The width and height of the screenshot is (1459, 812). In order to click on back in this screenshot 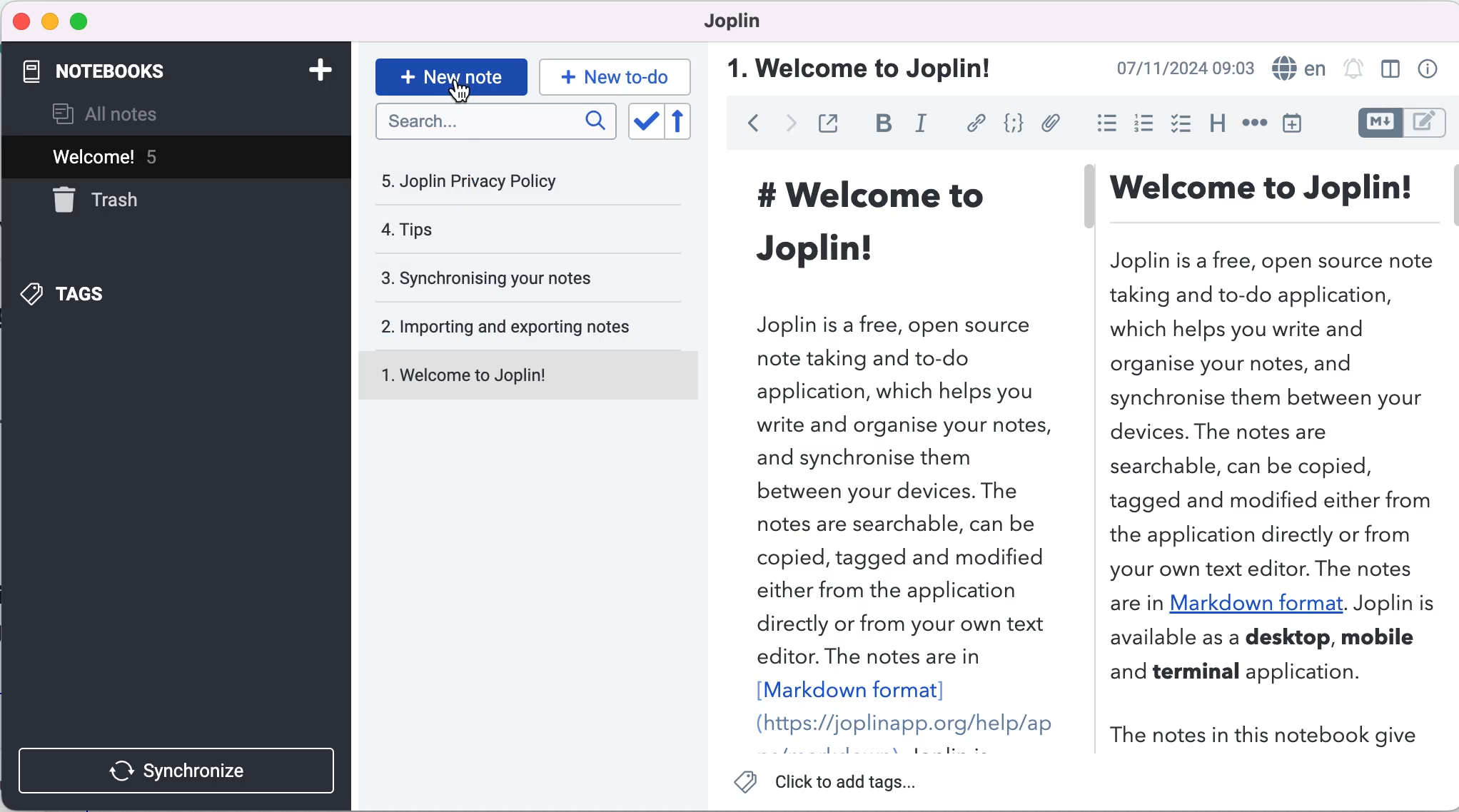, I will do `click(749, 126)`.